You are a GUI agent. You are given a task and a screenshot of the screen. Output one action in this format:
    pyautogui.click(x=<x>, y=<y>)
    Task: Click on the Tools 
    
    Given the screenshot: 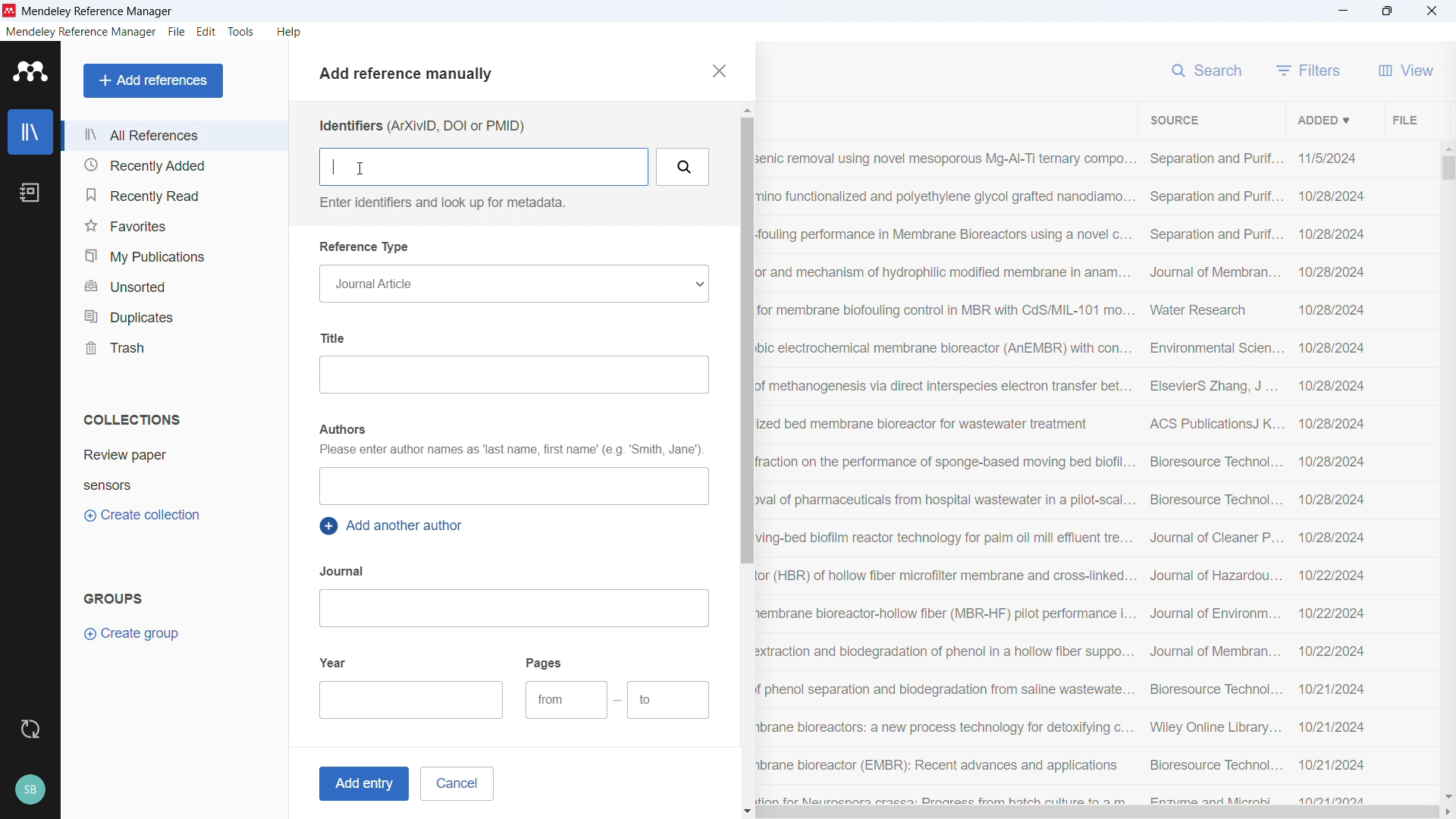 What is the action you would take?
    pyautogui.click(x=241, y=32)
    